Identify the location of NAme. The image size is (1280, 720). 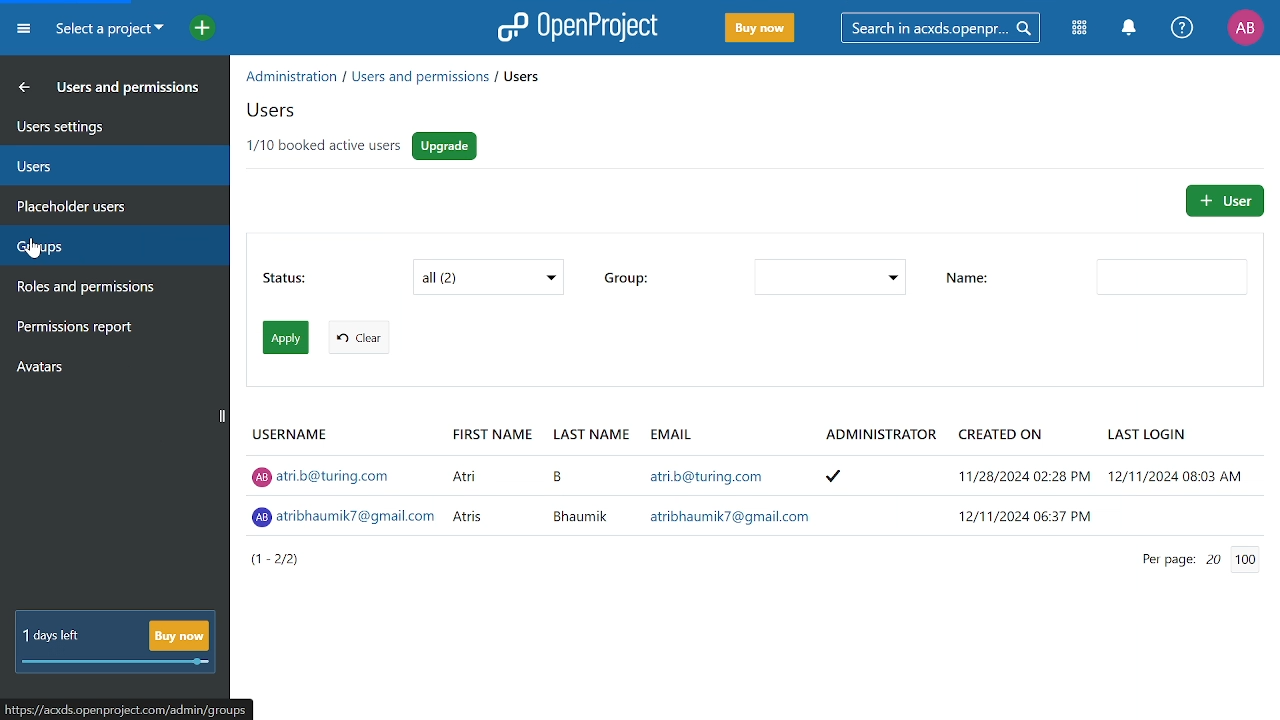
(1170, 276).